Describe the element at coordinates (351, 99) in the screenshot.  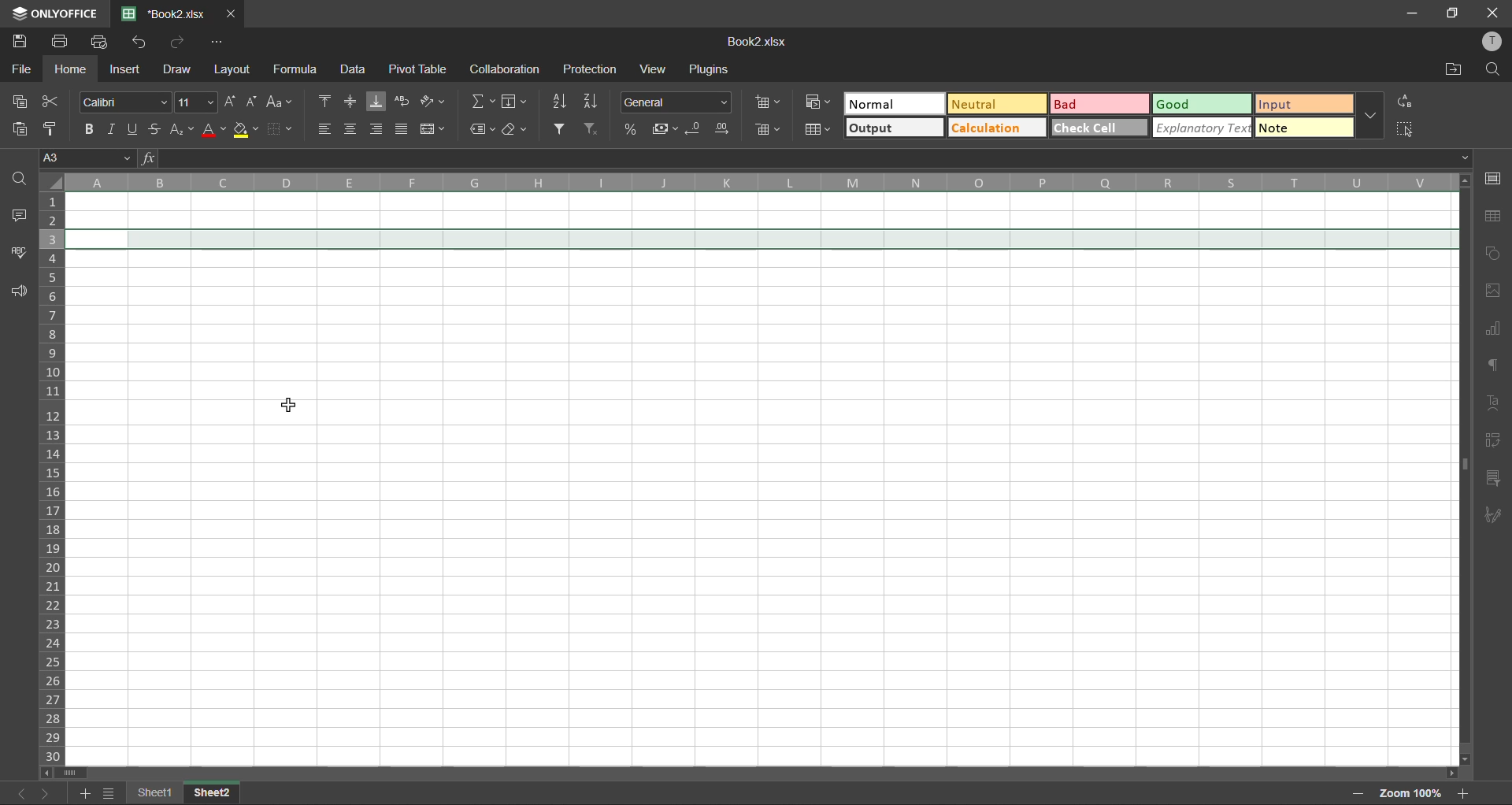
I see `align middle` at that location.